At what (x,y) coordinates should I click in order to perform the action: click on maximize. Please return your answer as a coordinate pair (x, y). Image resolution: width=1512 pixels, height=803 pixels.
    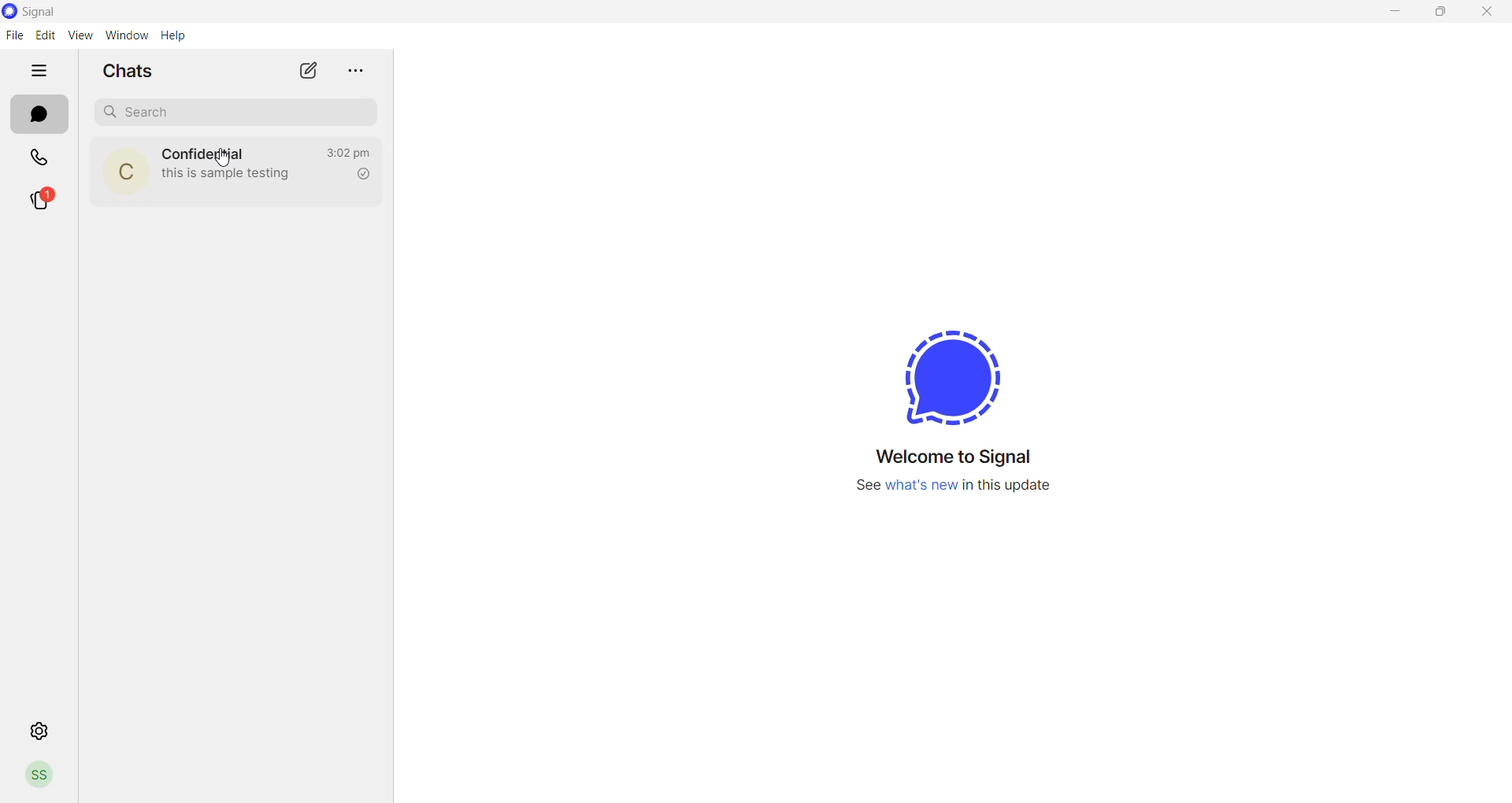
    Looking at the image, I should click on (1447, 14).